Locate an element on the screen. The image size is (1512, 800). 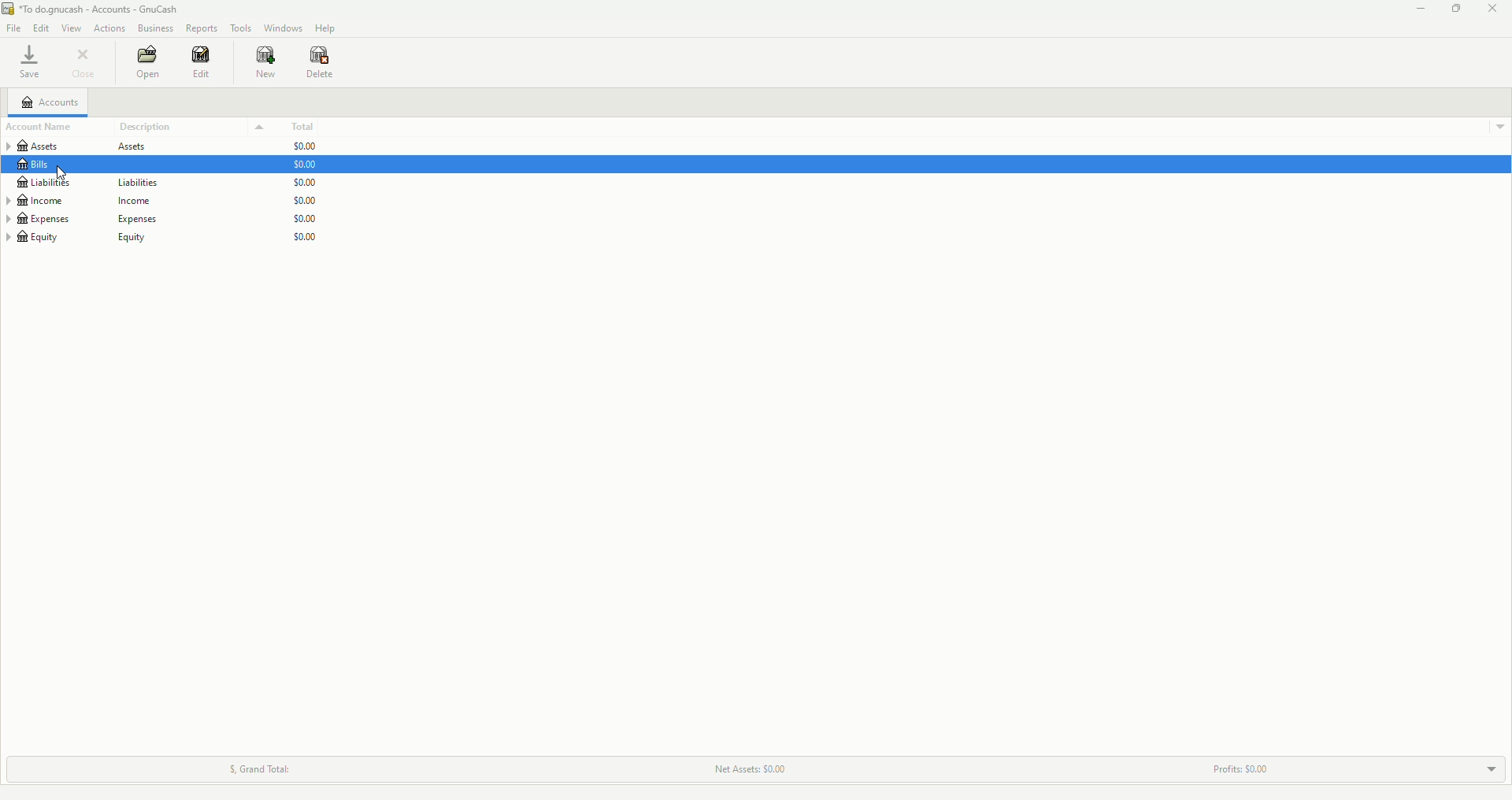
Equity is located at coordinates (83, 242).